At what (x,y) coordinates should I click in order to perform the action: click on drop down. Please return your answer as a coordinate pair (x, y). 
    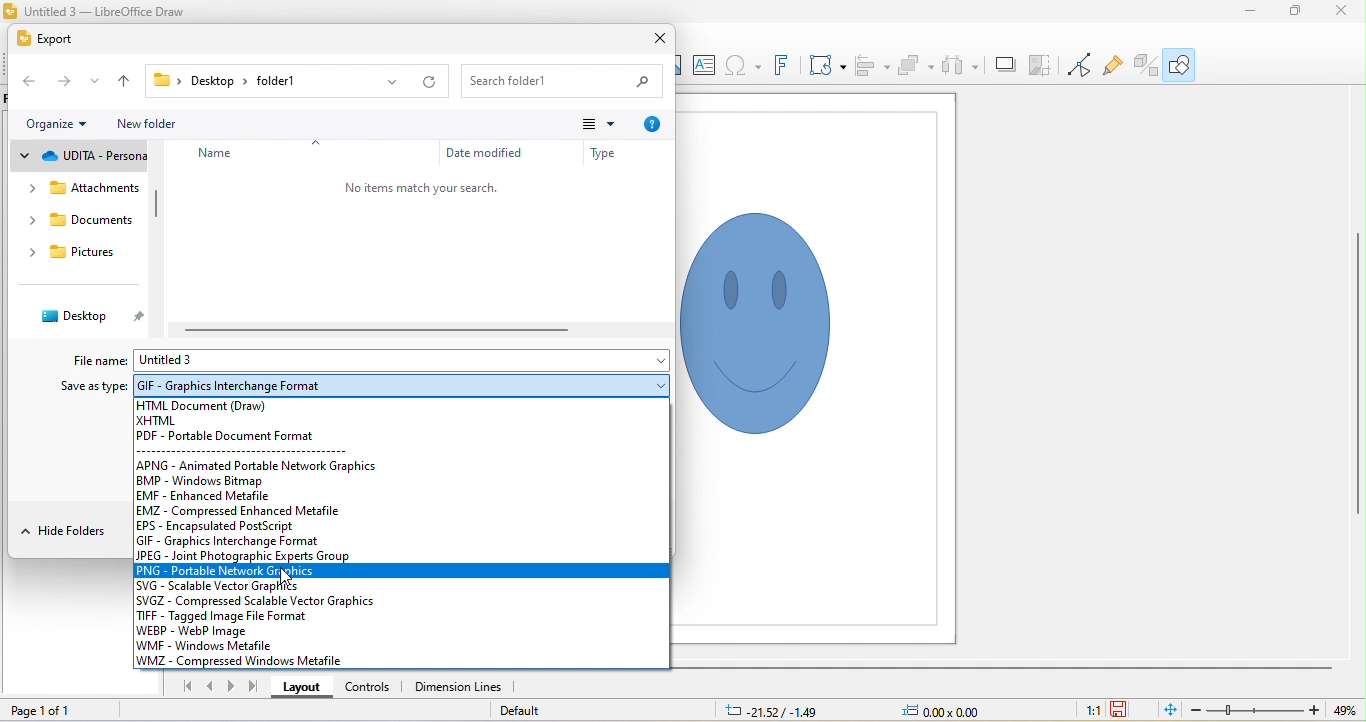
    Looking at the image, I should click on (35, 253).